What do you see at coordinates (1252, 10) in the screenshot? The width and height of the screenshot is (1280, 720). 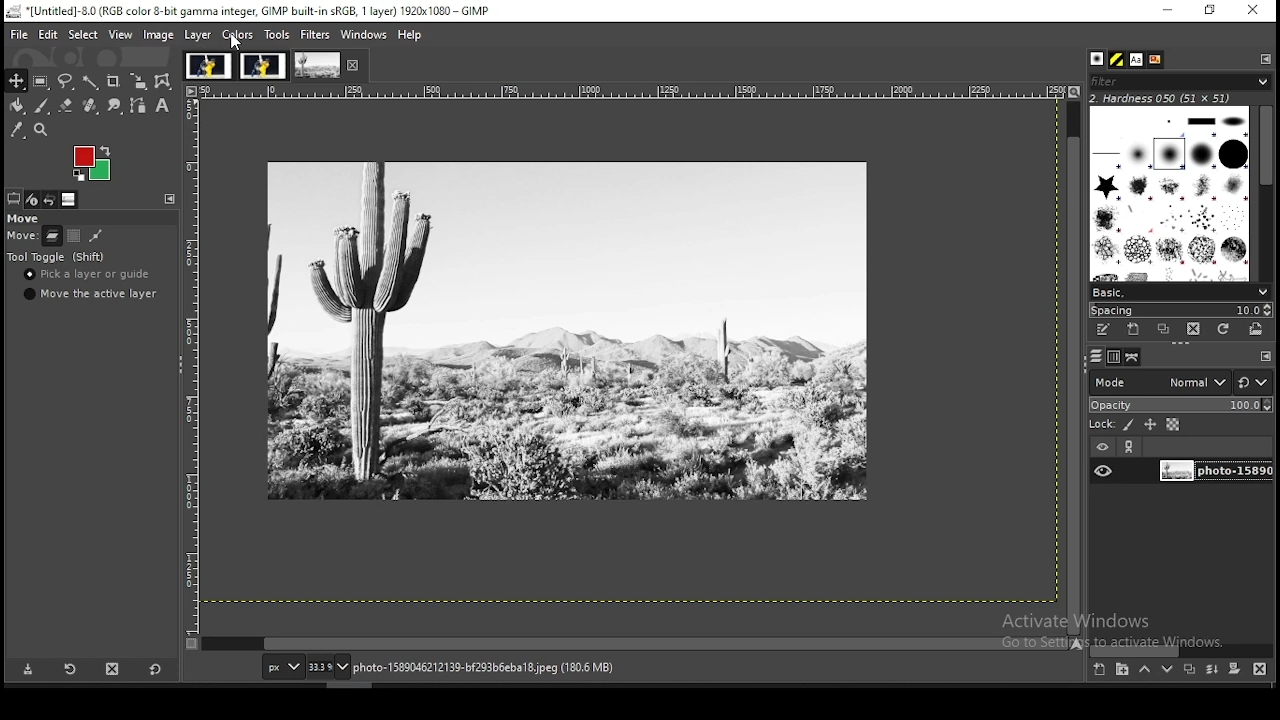 I see `close window` at bounding box center [1252, 10].